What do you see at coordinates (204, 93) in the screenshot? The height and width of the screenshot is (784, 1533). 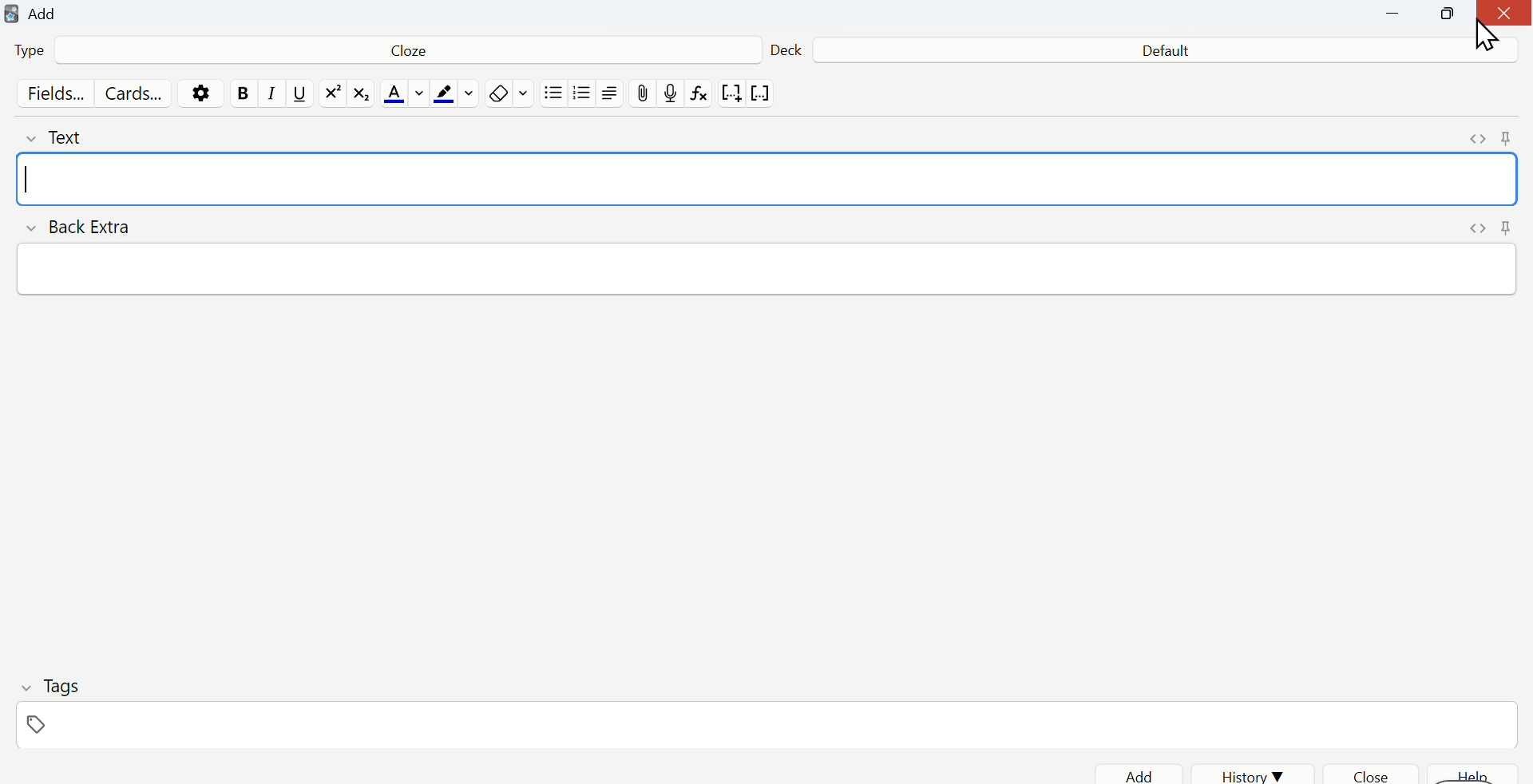 I see `Settings` at bounding box center [204, 93].